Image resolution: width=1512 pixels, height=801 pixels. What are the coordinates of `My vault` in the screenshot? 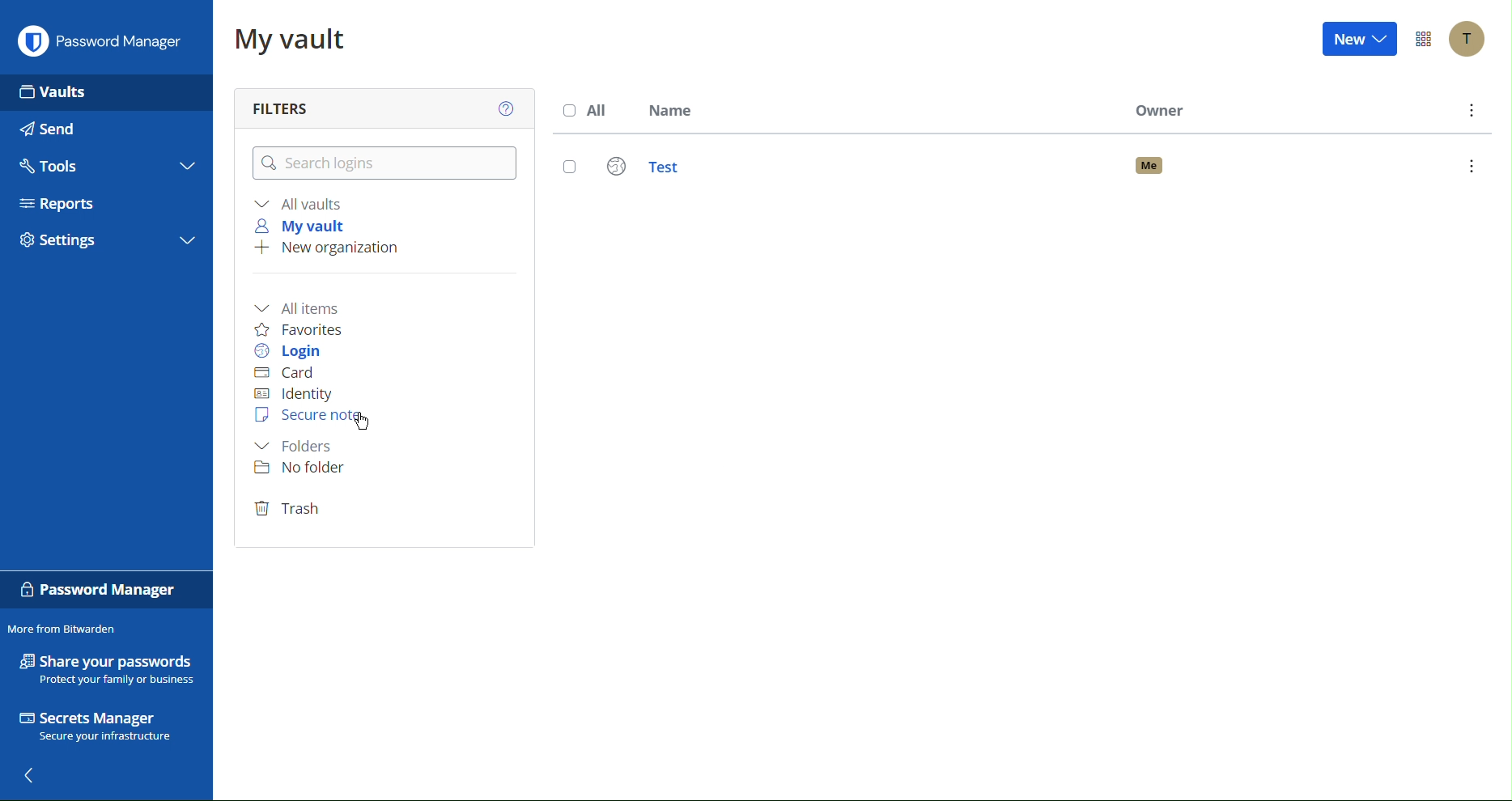 It's located at (298, 41).